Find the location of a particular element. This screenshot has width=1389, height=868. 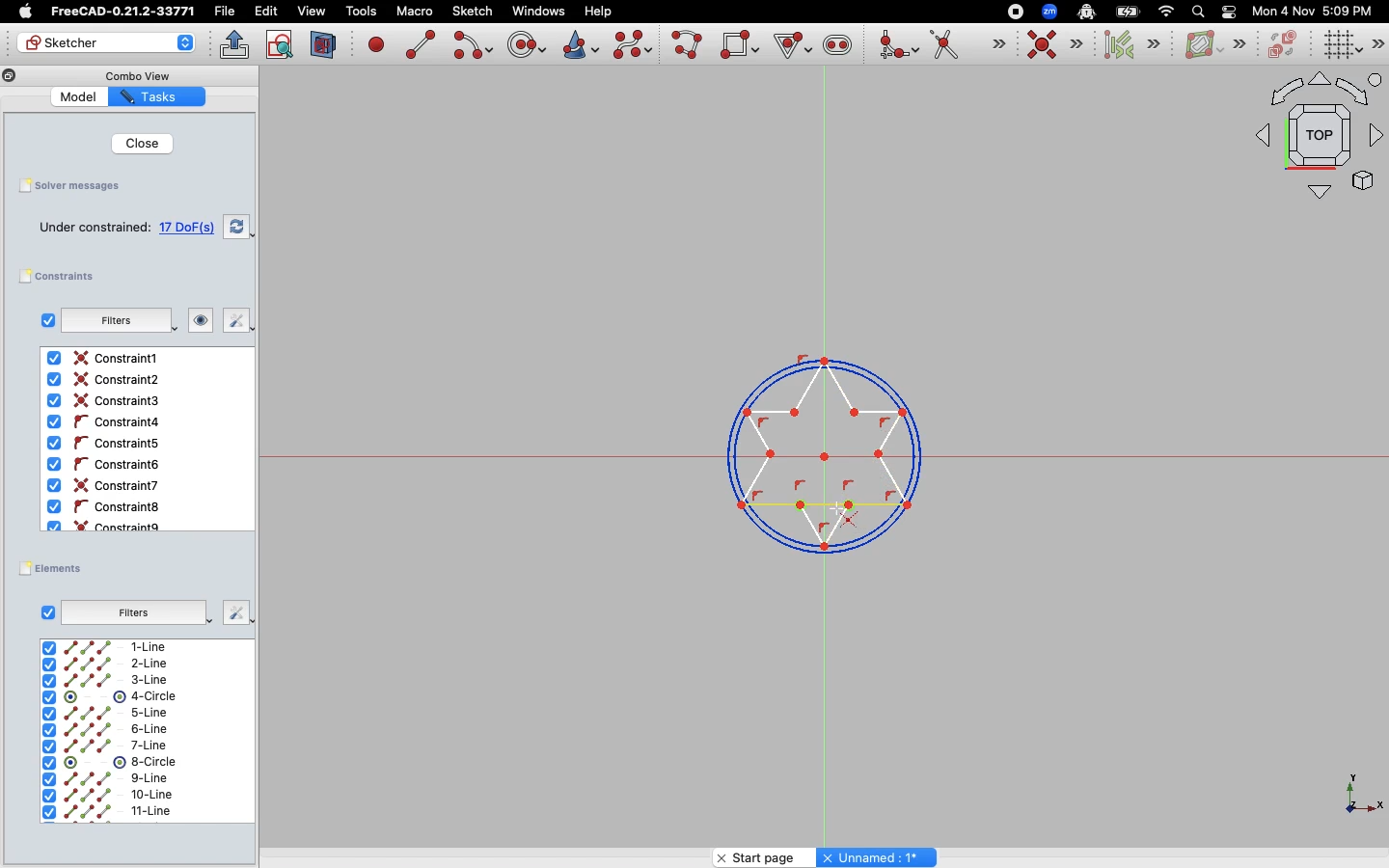

Constraint4 is located at coordinates (101, 422).